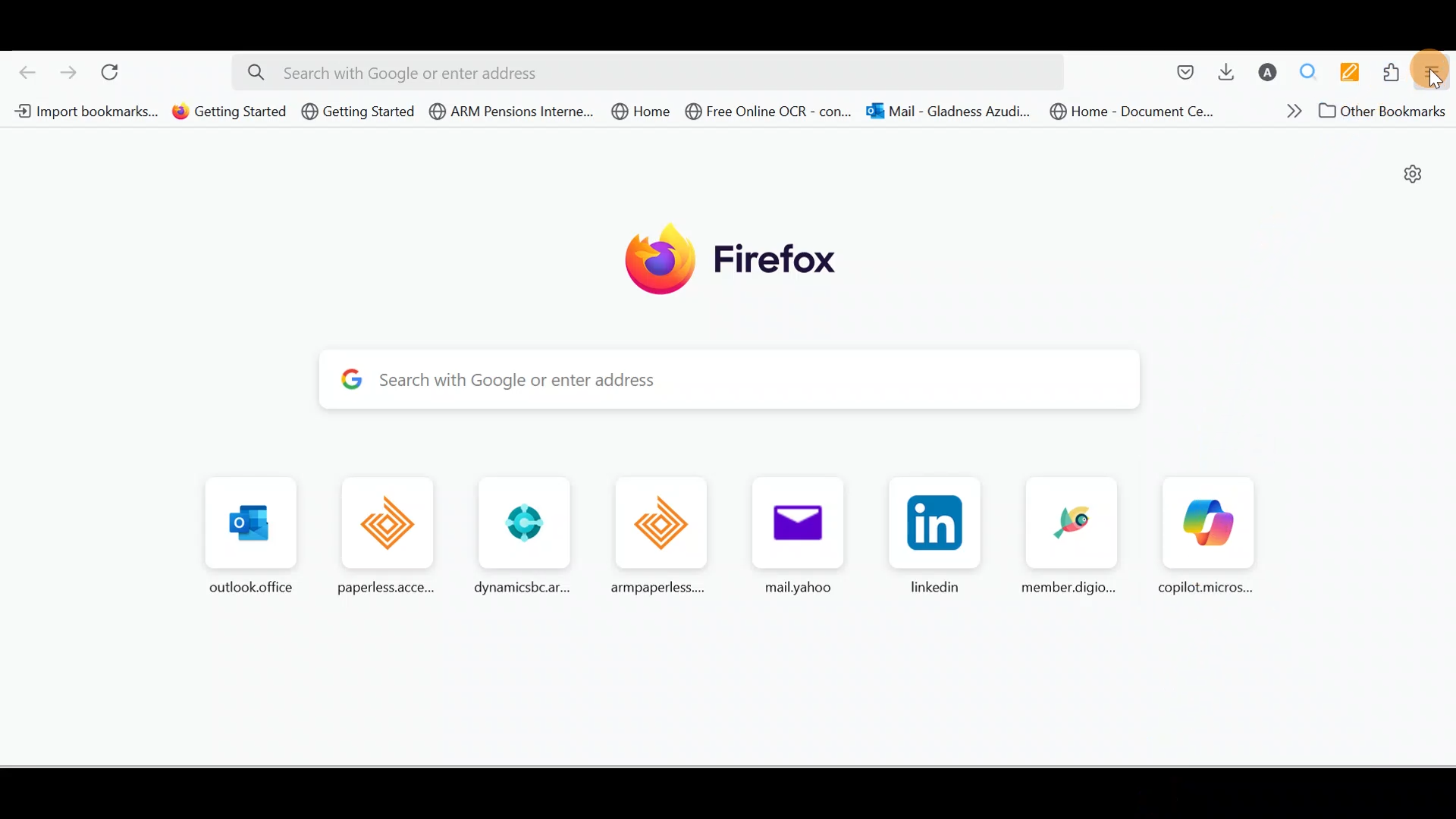 This screenshot has height=819, width=1456. Describe the element at coordinates (346, 380) in the screenshot. I see `Google logo` at that location.